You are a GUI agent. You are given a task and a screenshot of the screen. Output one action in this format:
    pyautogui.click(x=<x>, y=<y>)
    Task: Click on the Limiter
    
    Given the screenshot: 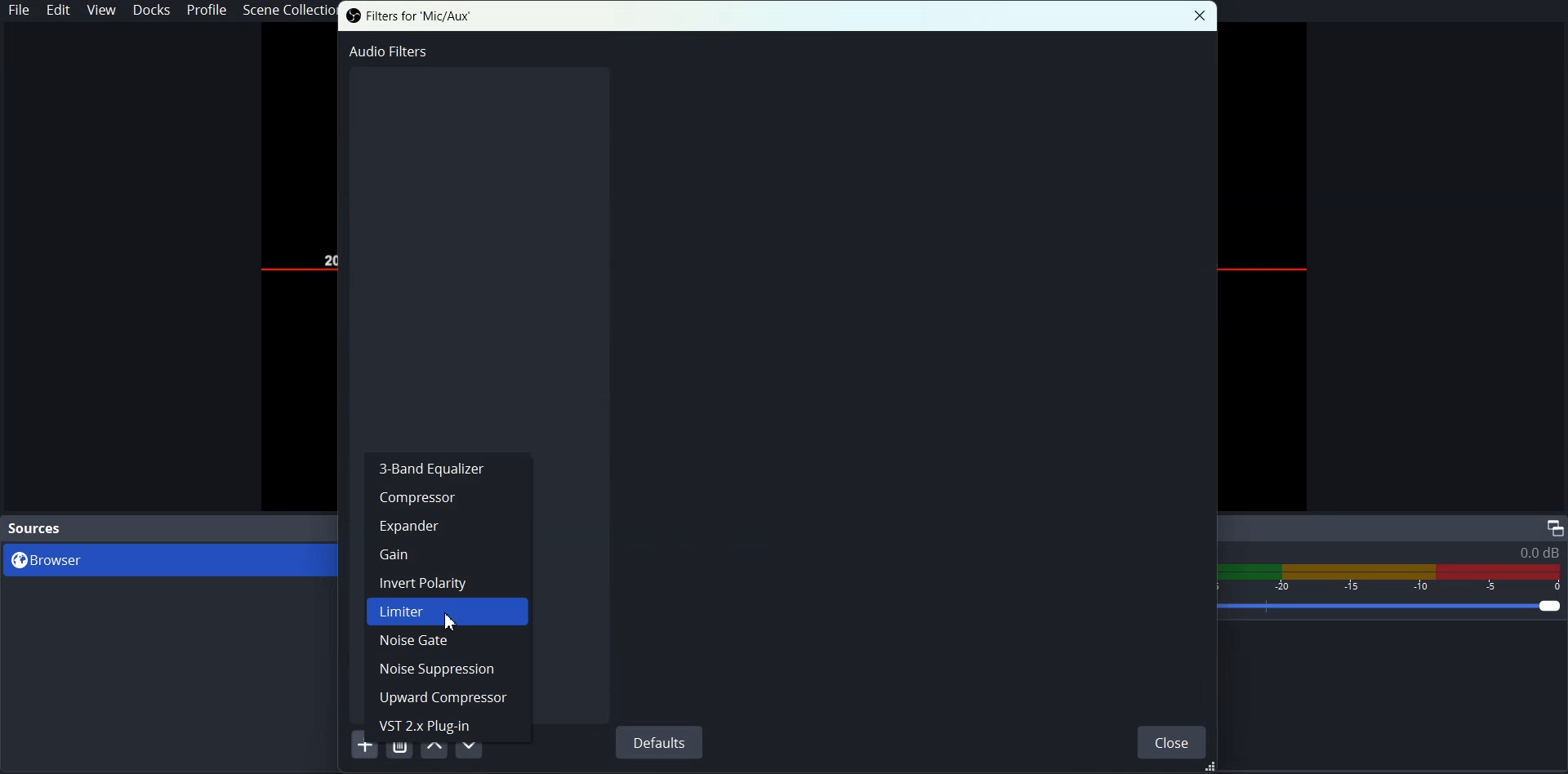 What is the action you would take?
    pyautogui.click(x=448, y=612)
    